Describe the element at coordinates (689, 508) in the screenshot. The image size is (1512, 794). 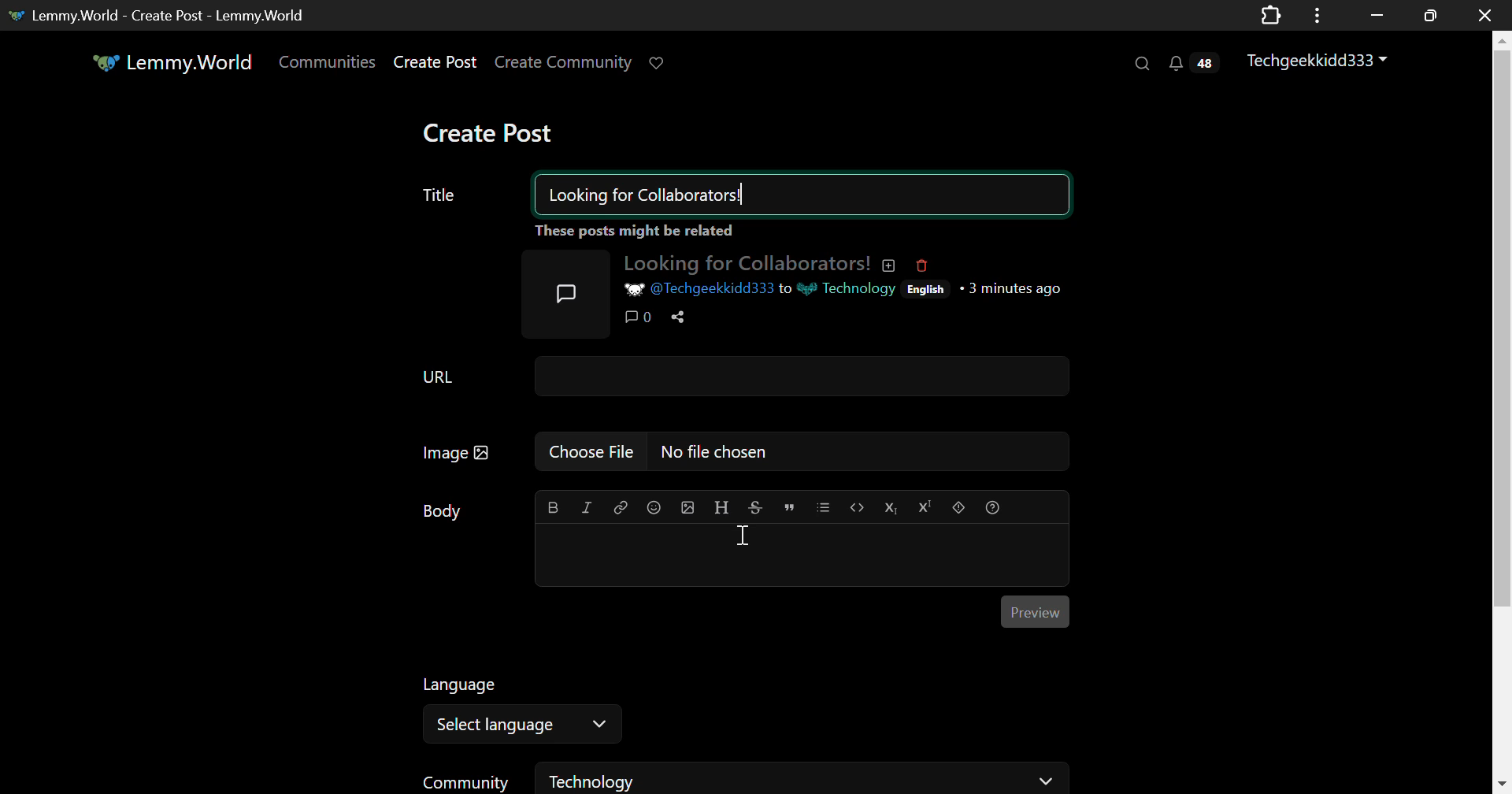
I see `upload image` at that location.